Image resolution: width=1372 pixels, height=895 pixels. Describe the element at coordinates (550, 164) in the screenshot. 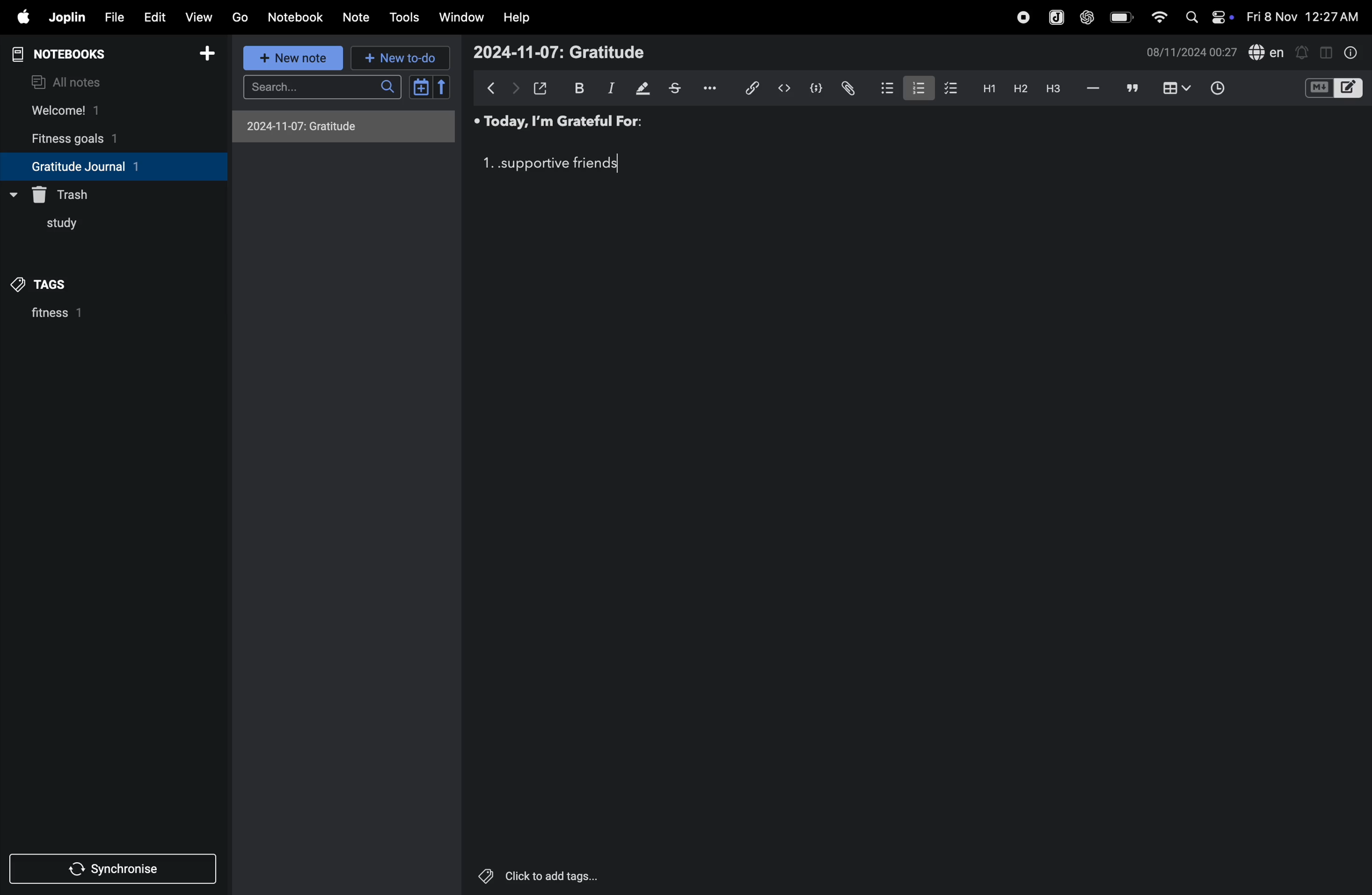

I see `1. .supportive friends` at that location.